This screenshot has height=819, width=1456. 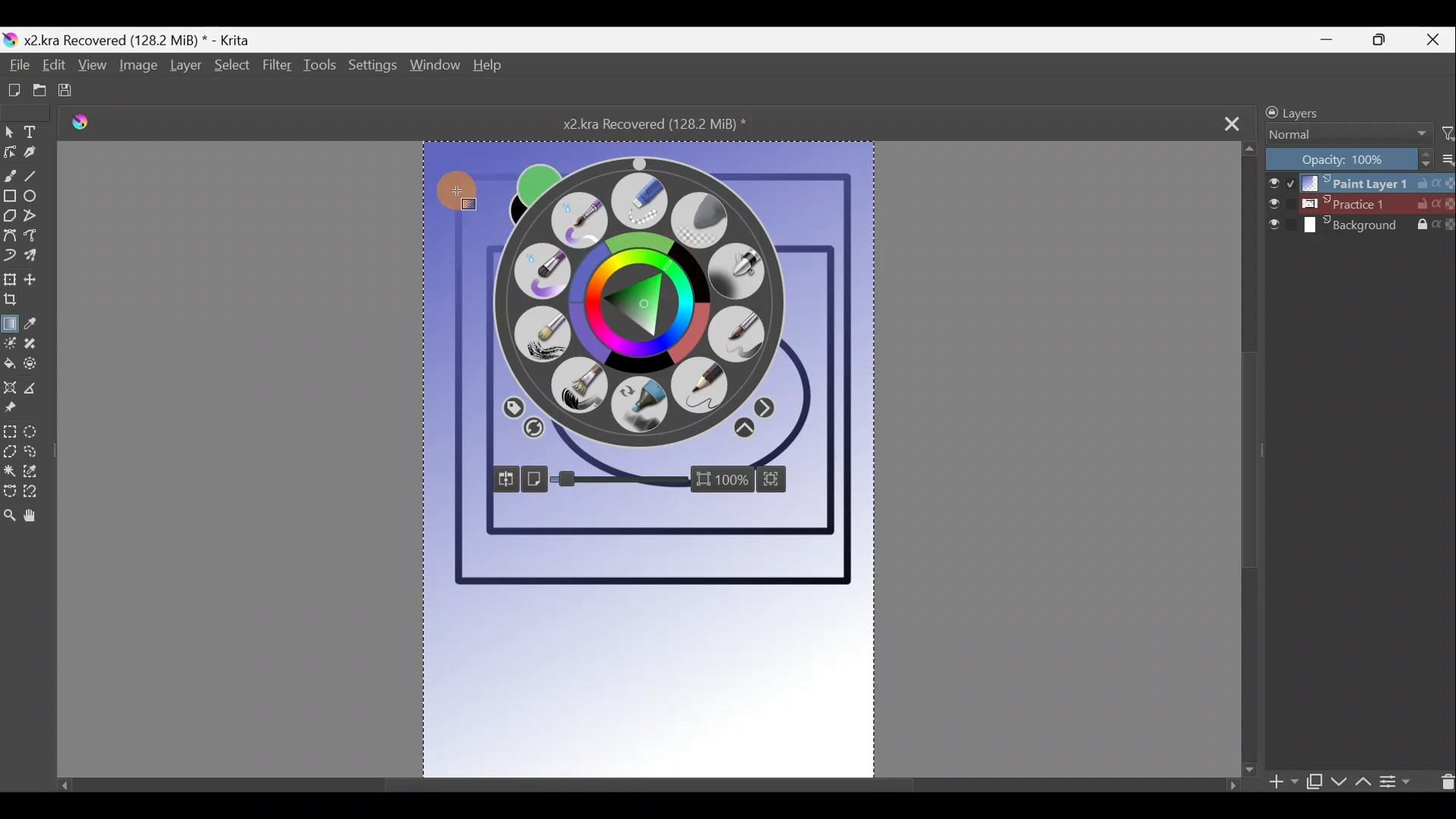 I want to click on Select, so click(x=230, y=66).